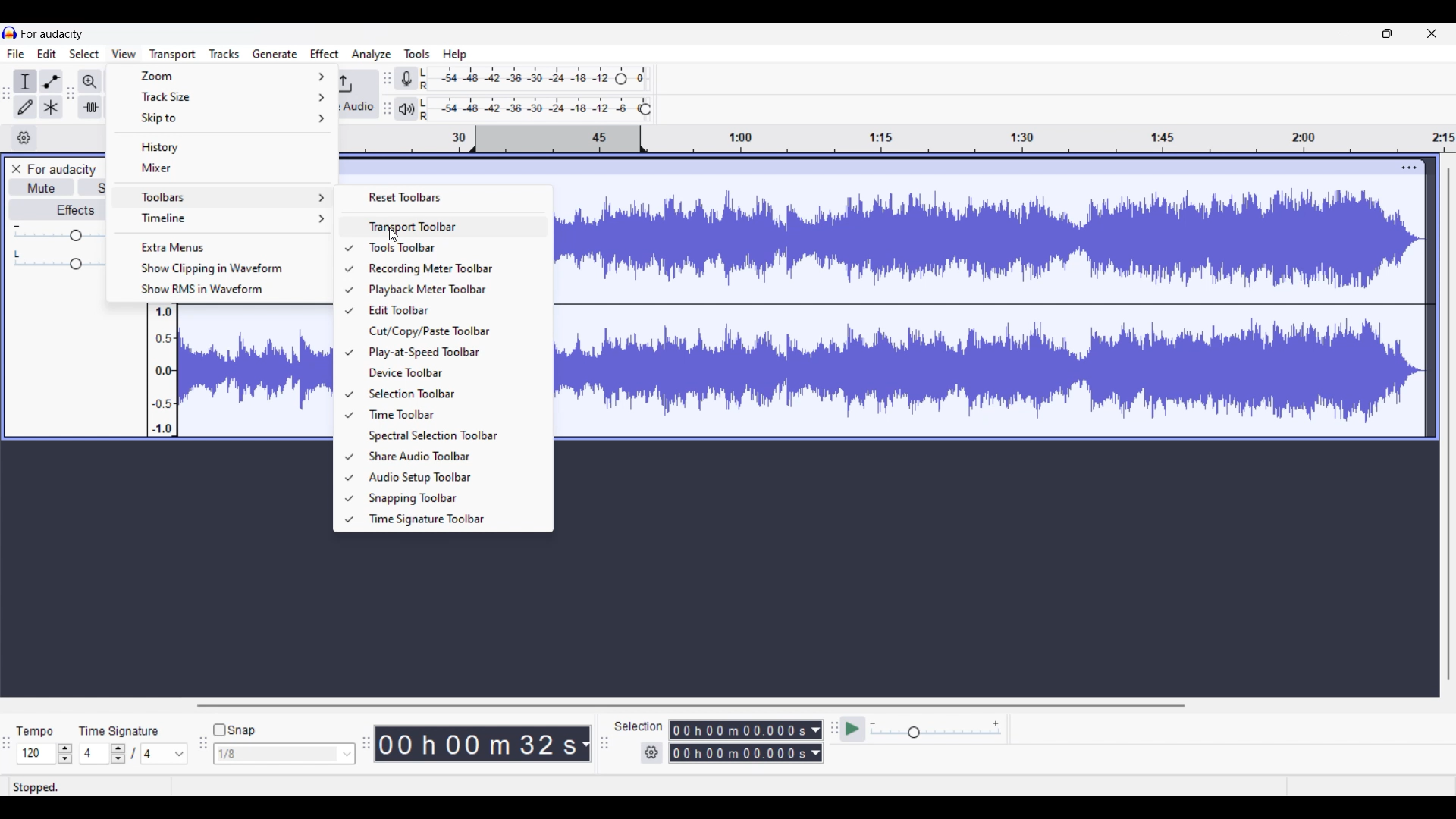  I want to click on Track settings, so click(1410, 168).